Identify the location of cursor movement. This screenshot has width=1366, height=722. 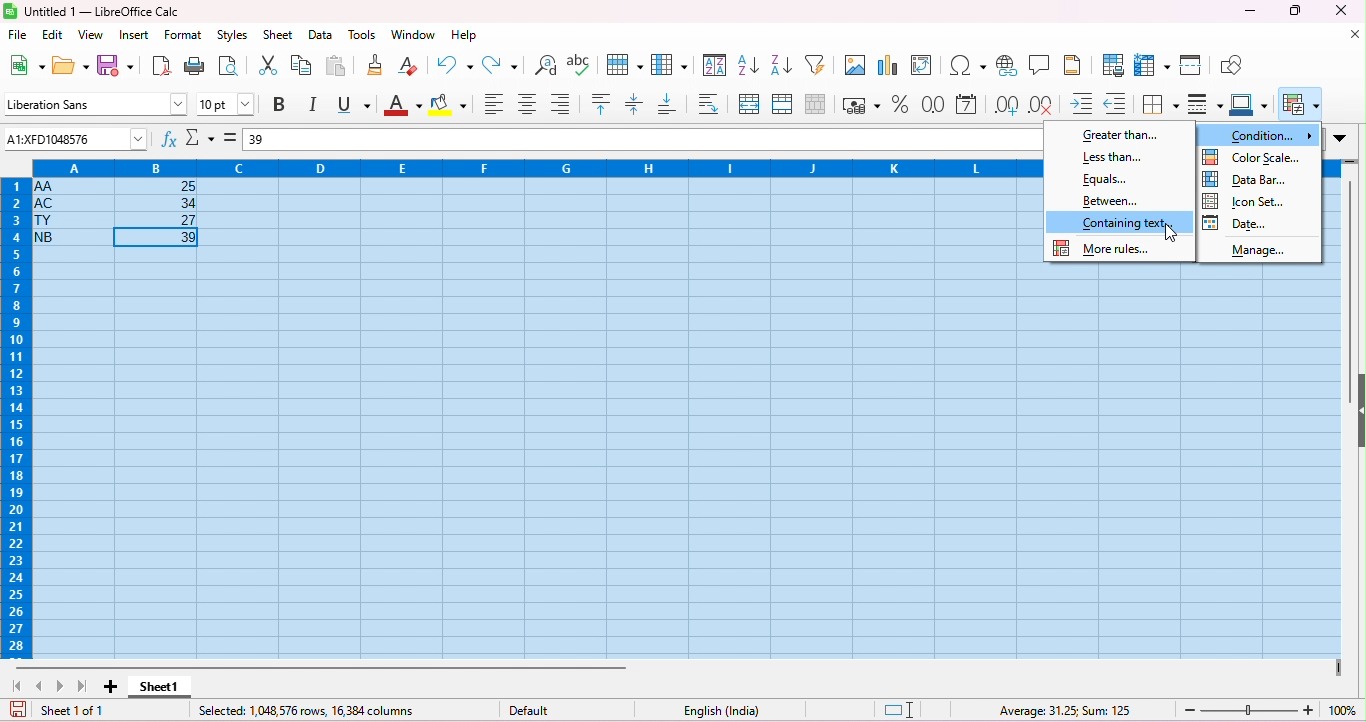
(1174, 232).